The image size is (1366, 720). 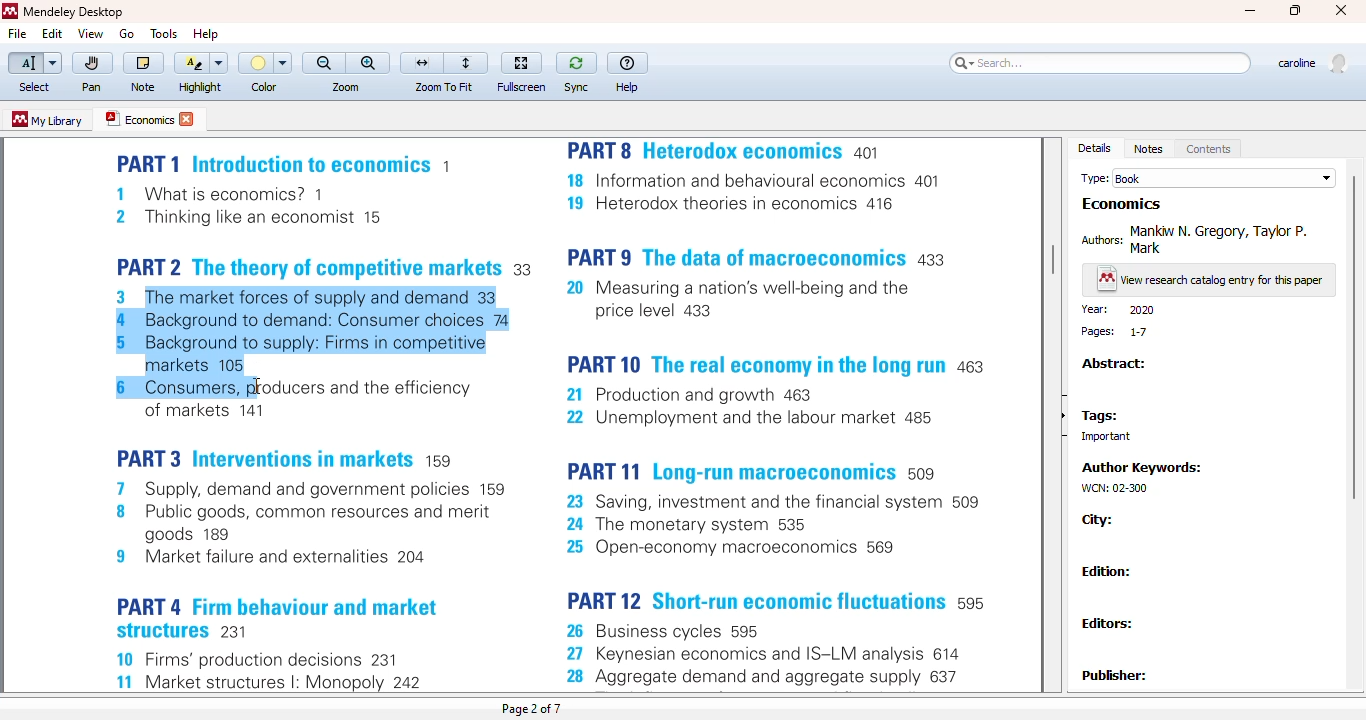 I want to click on my library, so click(x=46, y=119).